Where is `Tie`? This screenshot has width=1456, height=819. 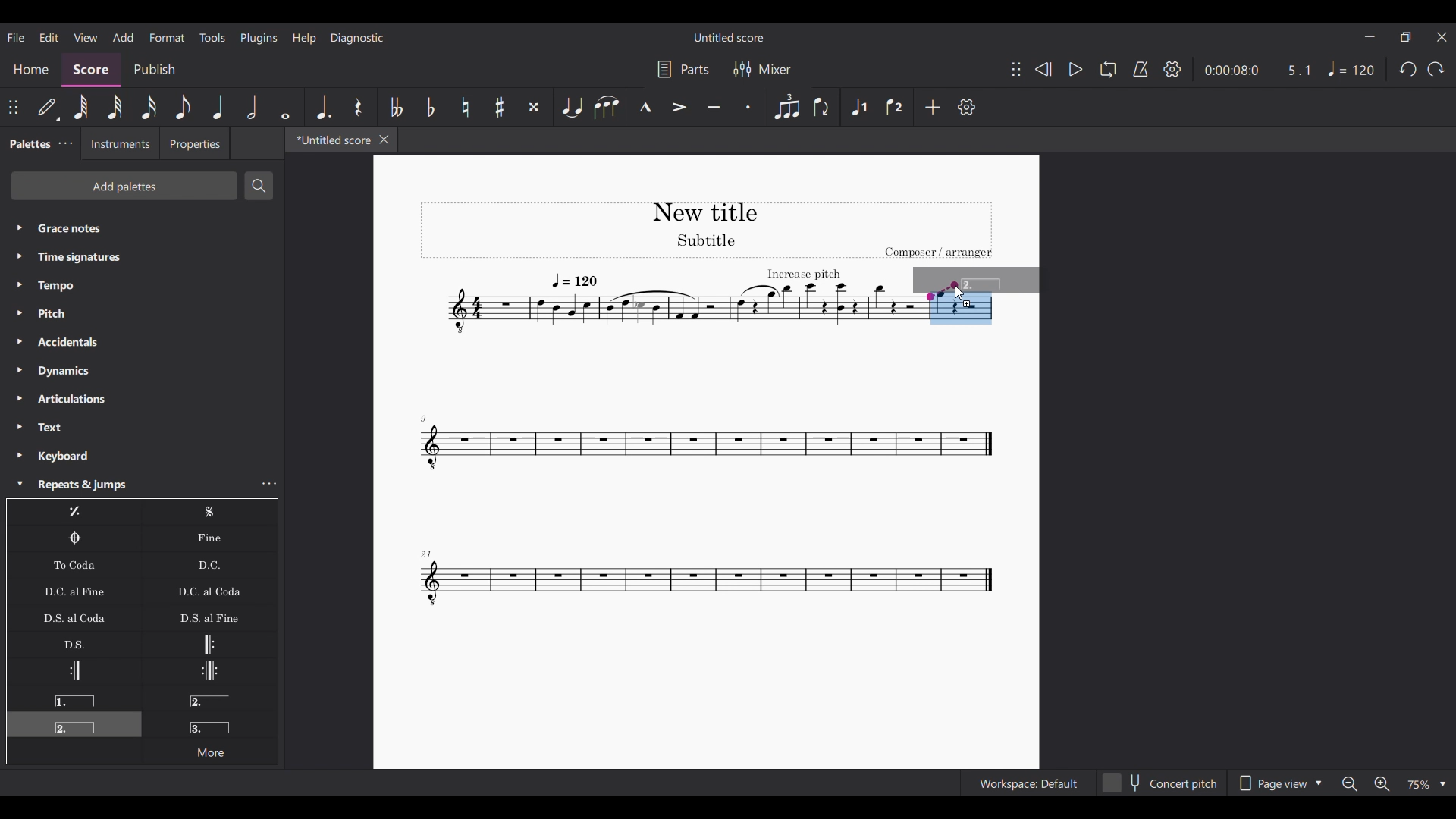
Tie is located at coordinates (572, 107).